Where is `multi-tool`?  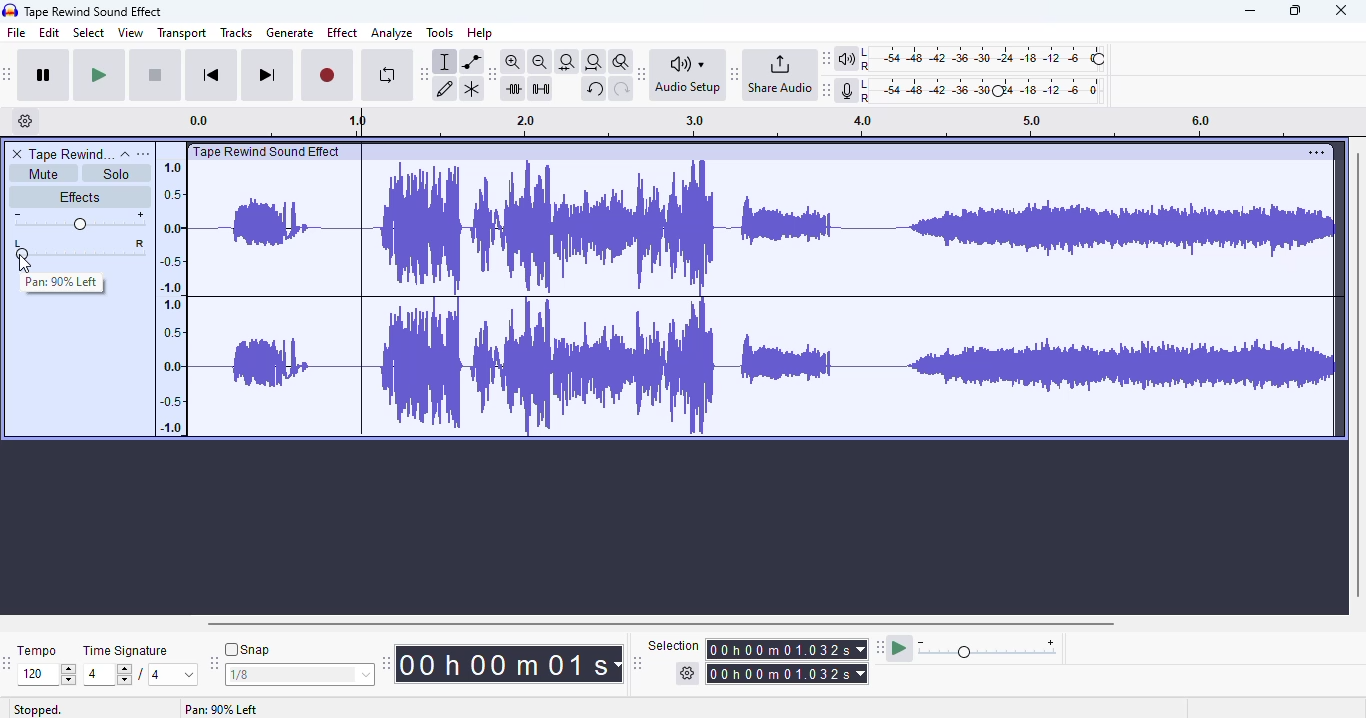 multi-tool is located at coordinates (472, 90).